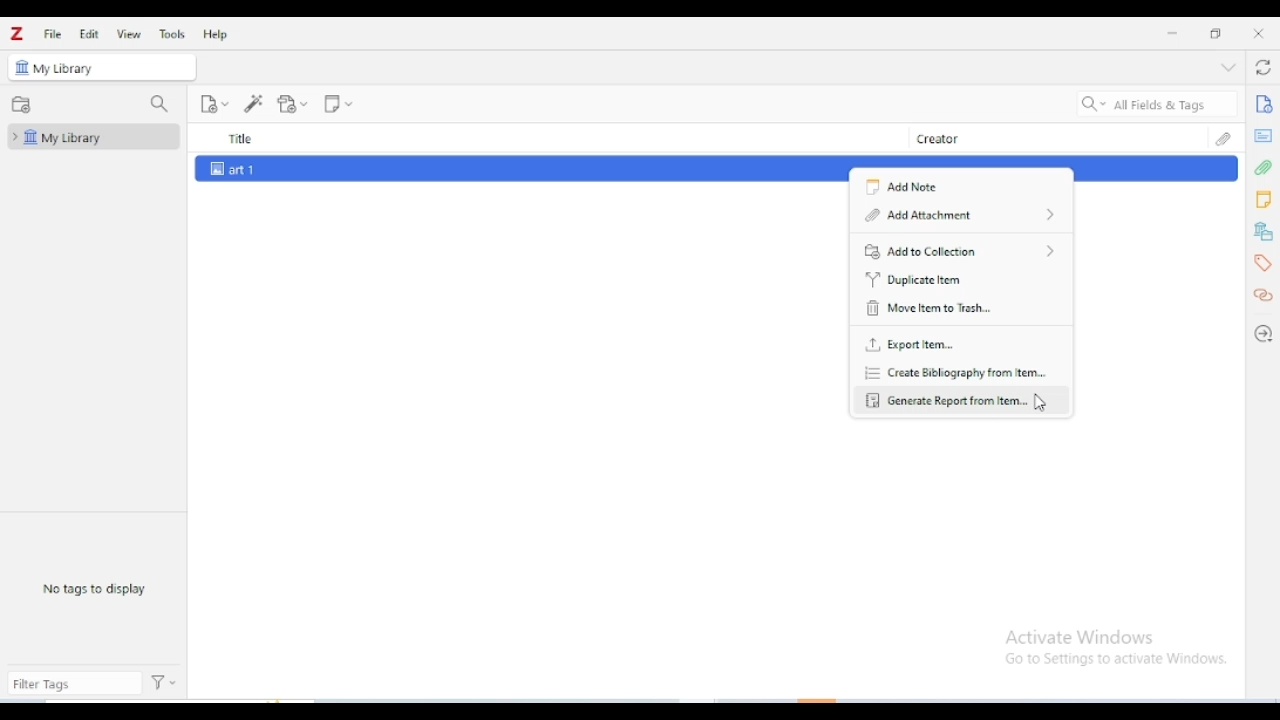 The width and height of the screenshot is (1280, 720). What do you see at coordinates (1258, 33) in the screenshot?
I see `close` at bounding box center [1258, 33].